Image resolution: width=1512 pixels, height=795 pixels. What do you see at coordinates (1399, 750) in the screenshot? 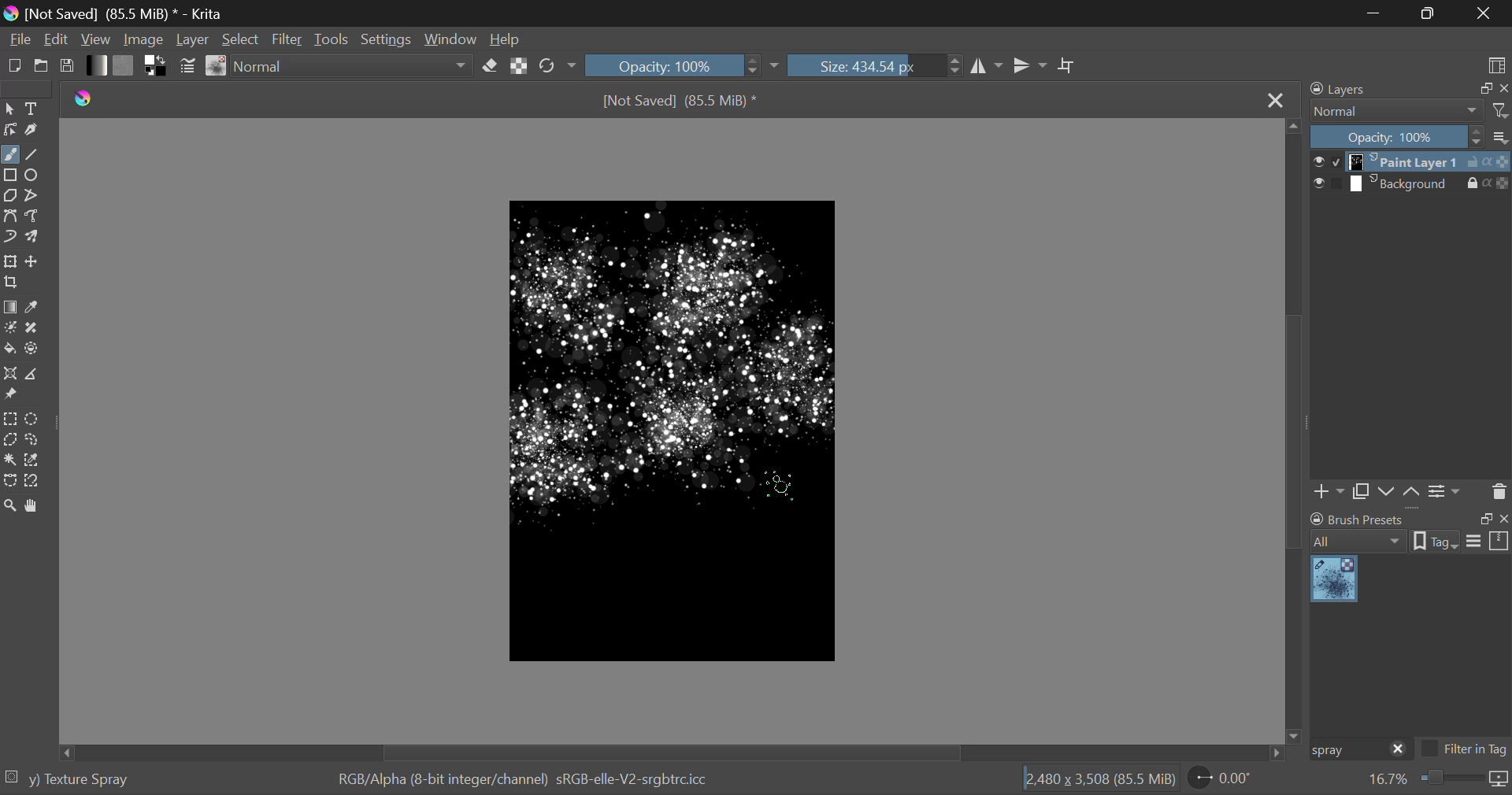
I see `close` at bounding box center [1399, 750].